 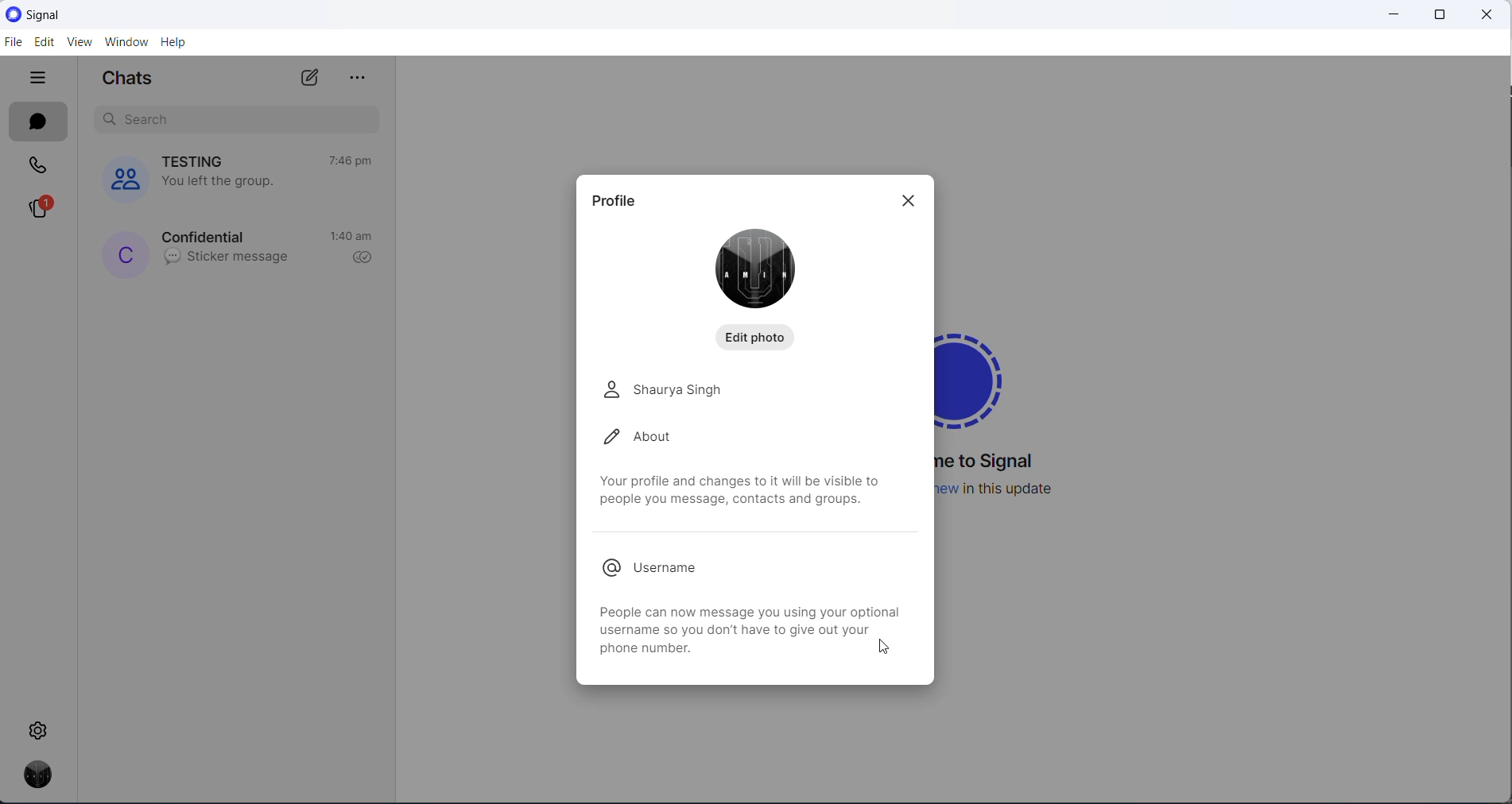 What do you see at coordinates (42, 43) in the screenshot?
I see `EDIT` at bounding box center [42, 43].